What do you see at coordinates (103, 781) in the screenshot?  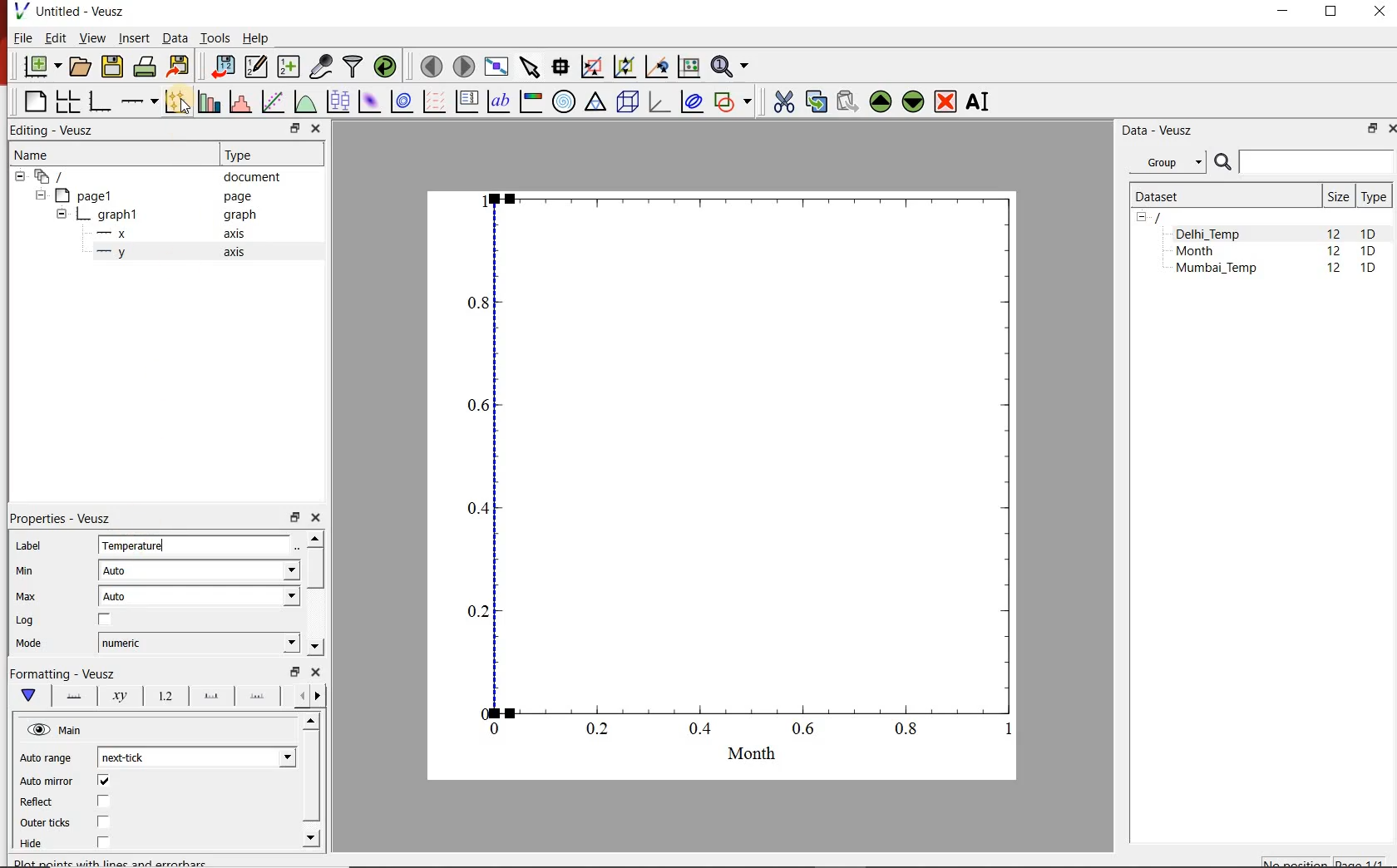 I see `check/uncheck` at bounding box center [103, 781].